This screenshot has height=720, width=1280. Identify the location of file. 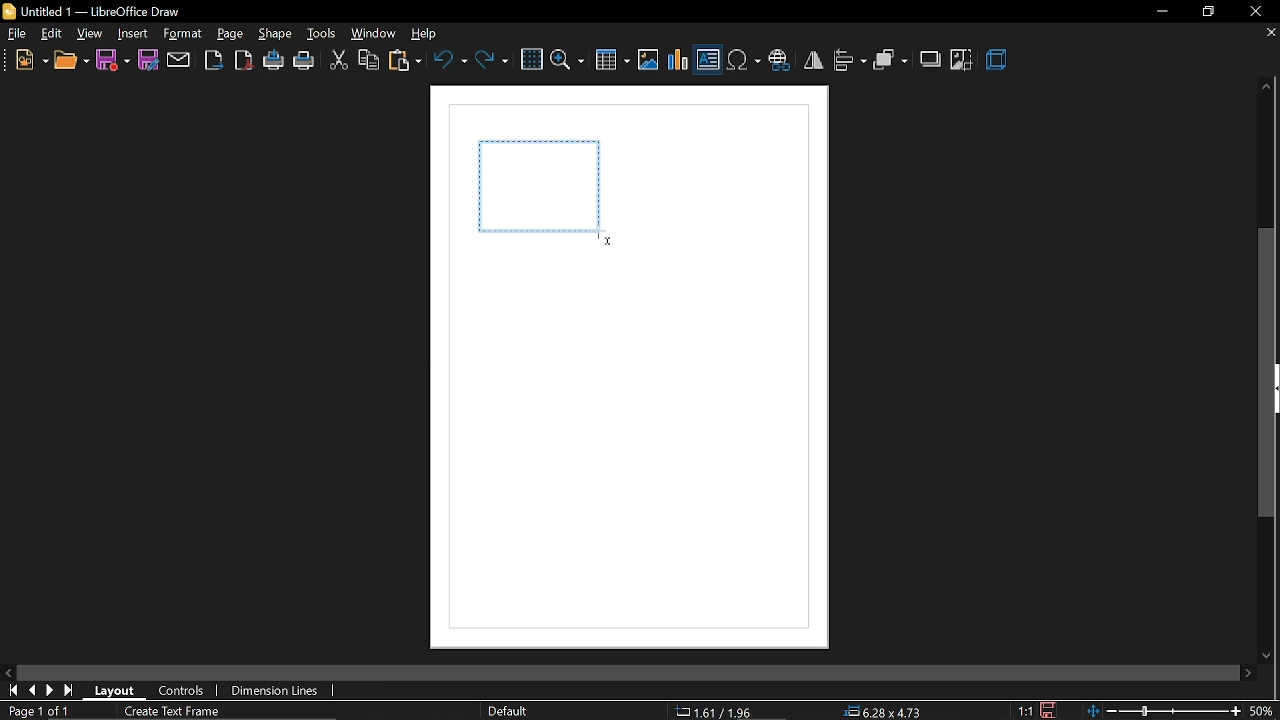
(18, 36).